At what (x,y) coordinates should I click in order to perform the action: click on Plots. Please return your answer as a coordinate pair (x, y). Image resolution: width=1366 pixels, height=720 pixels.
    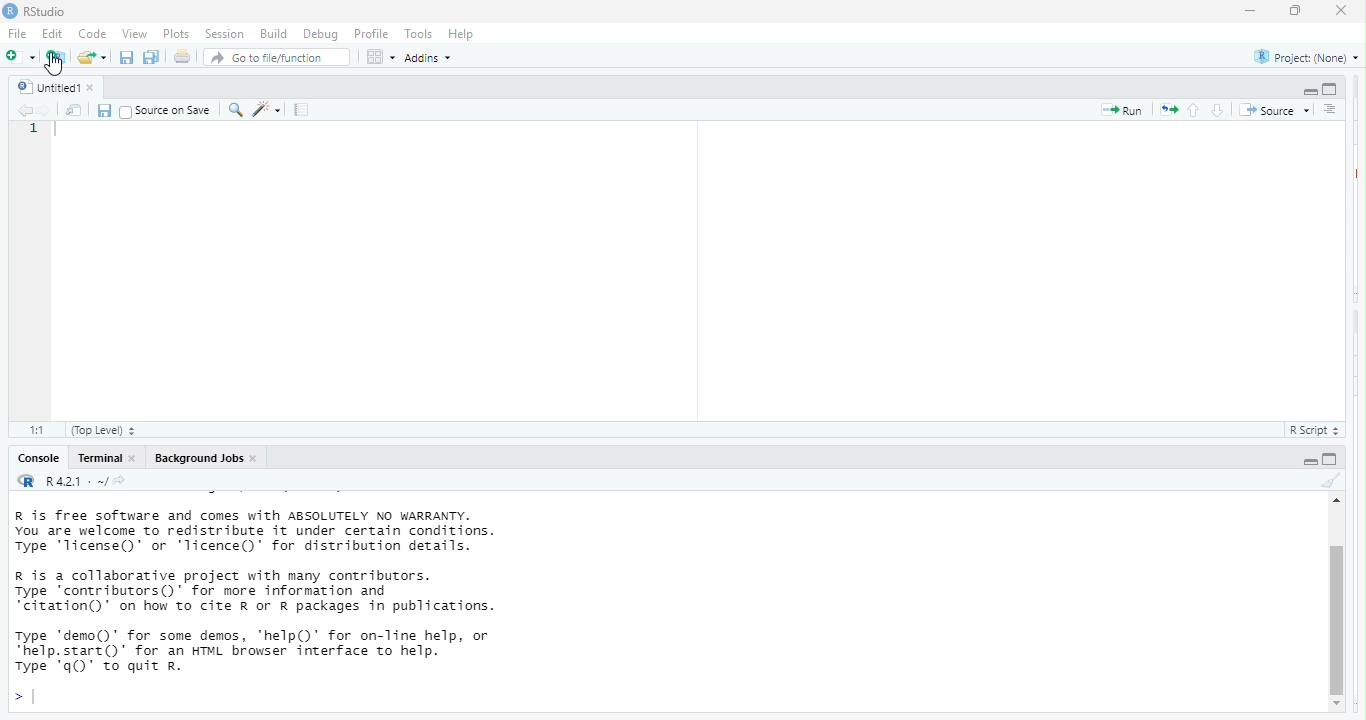
    Looking at the image, I should click on (176, 33).